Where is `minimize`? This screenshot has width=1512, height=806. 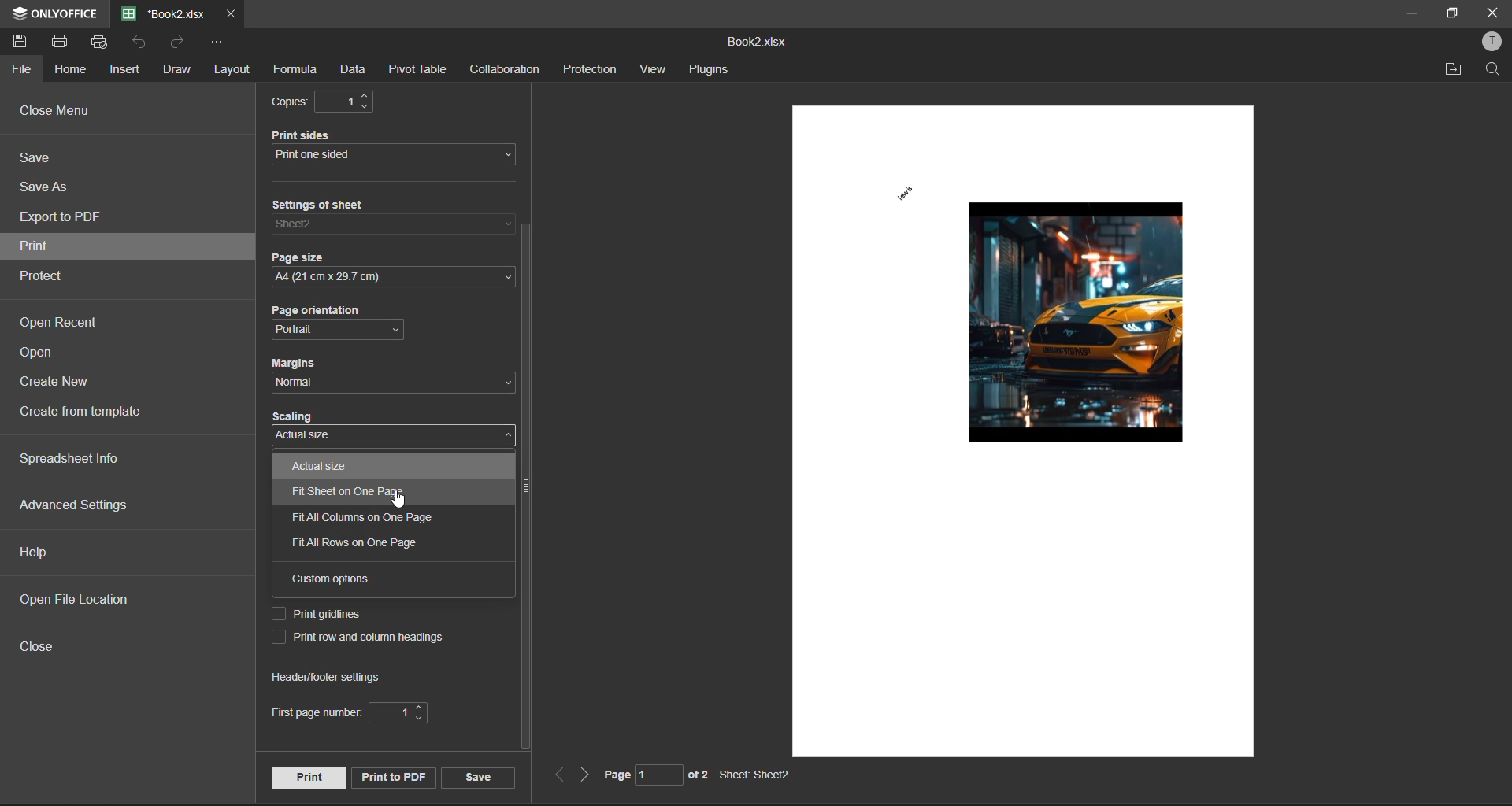
minimize is located at coordinates (1410, 13).